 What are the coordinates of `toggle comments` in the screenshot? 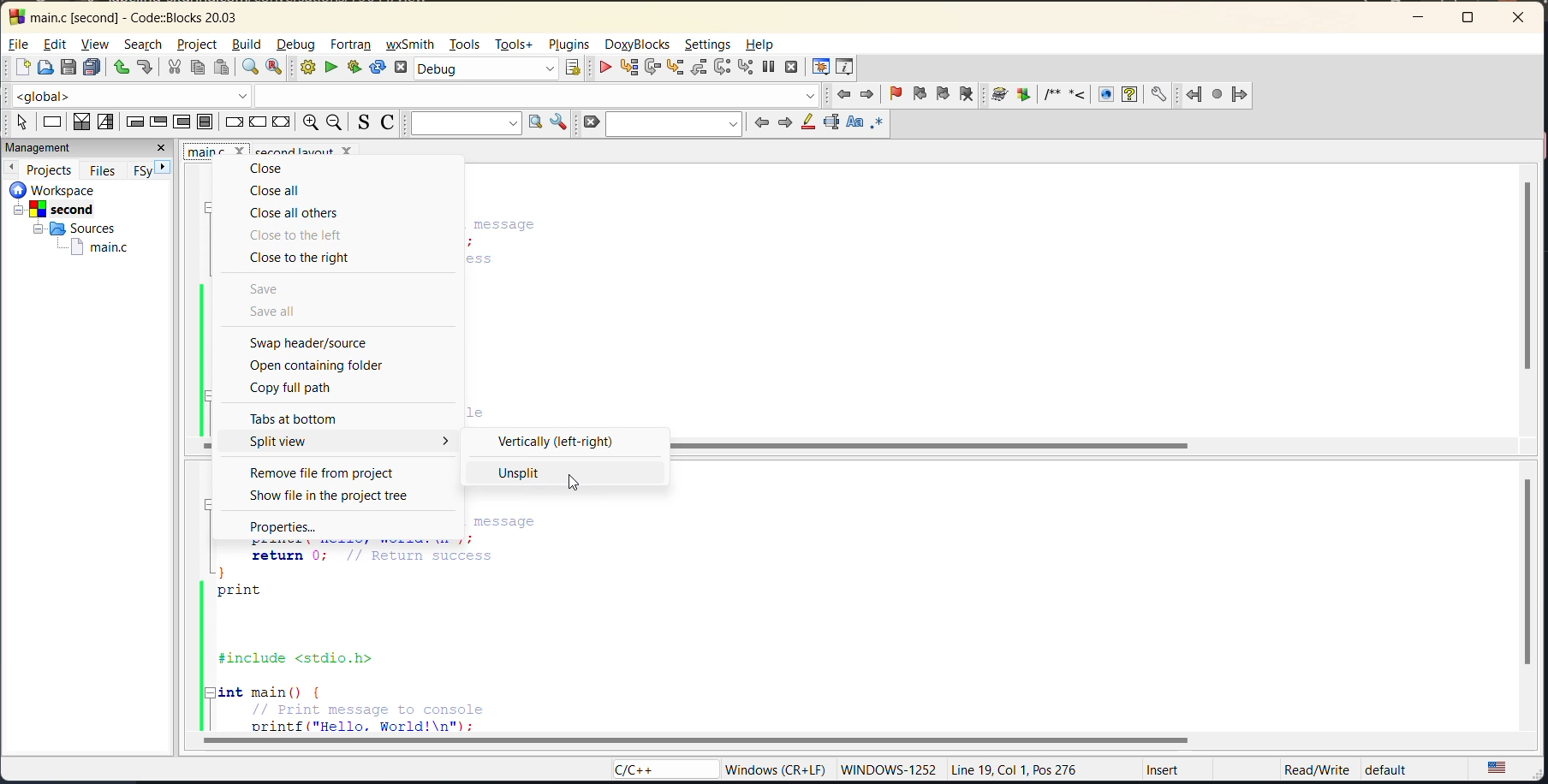 It's located at (387, 121).